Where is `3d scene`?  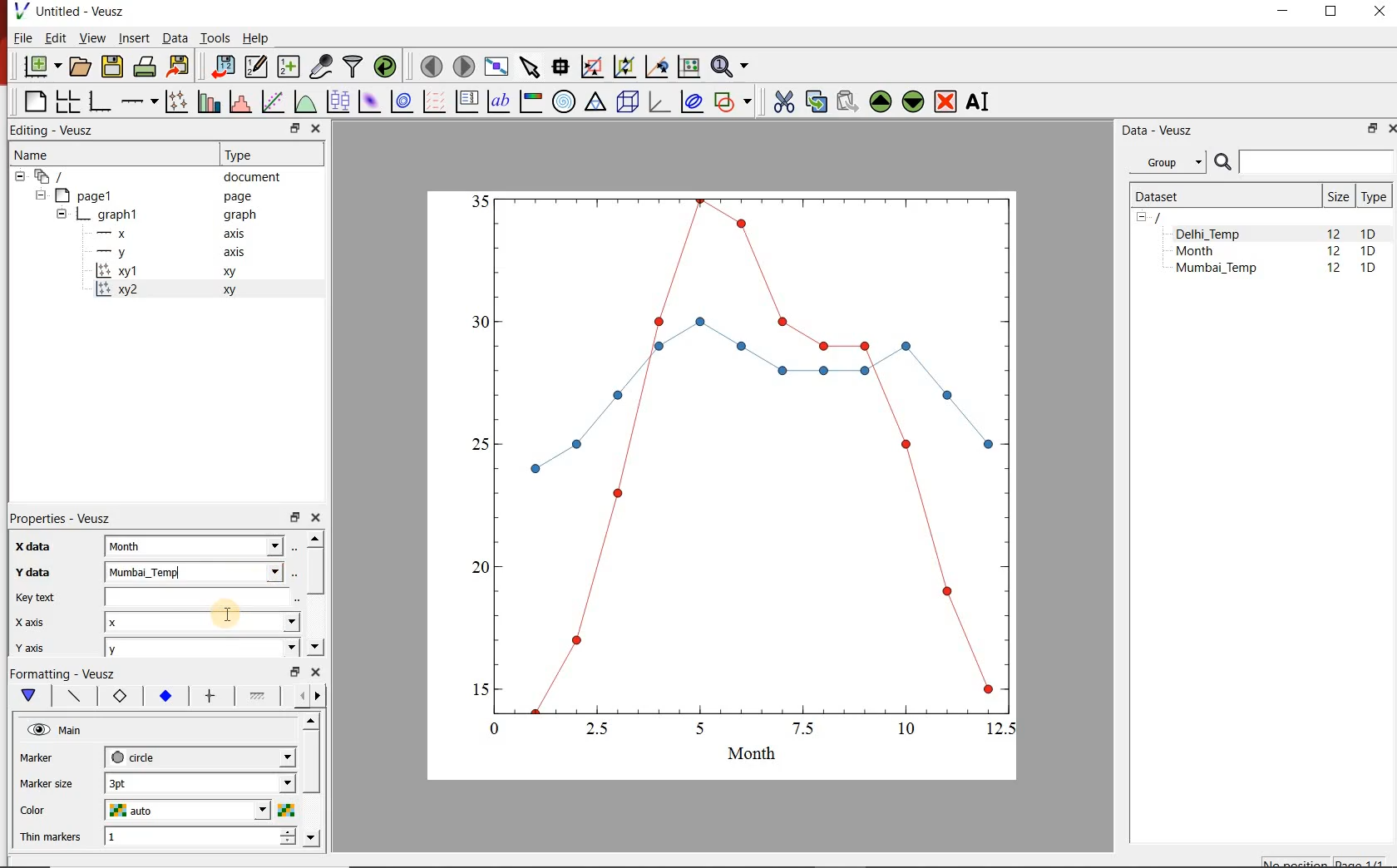 3d scene is located at coordinates (626, 102).